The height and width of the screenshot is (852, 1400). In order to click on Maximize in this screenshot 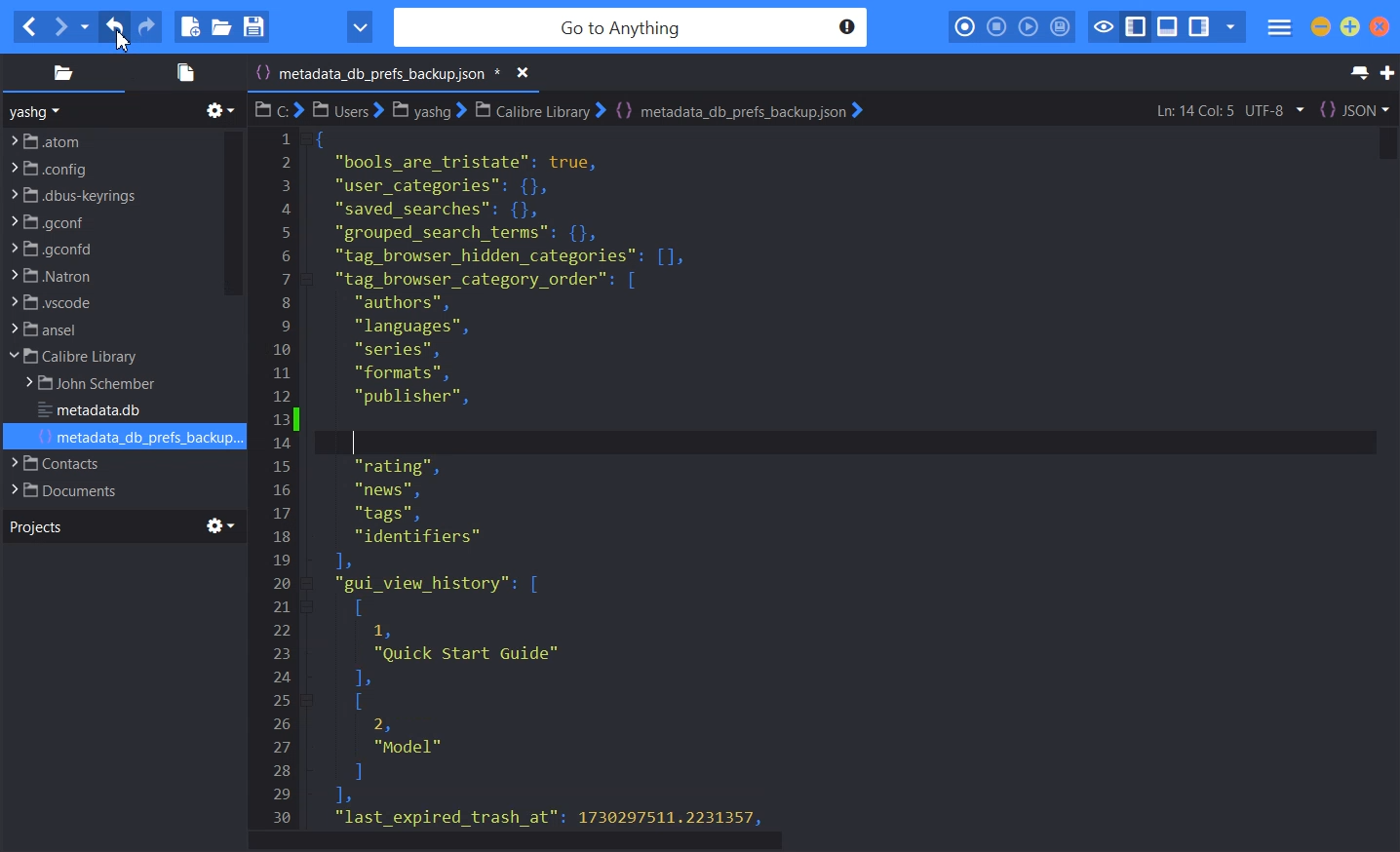, I will do `click(1350, 26)`.